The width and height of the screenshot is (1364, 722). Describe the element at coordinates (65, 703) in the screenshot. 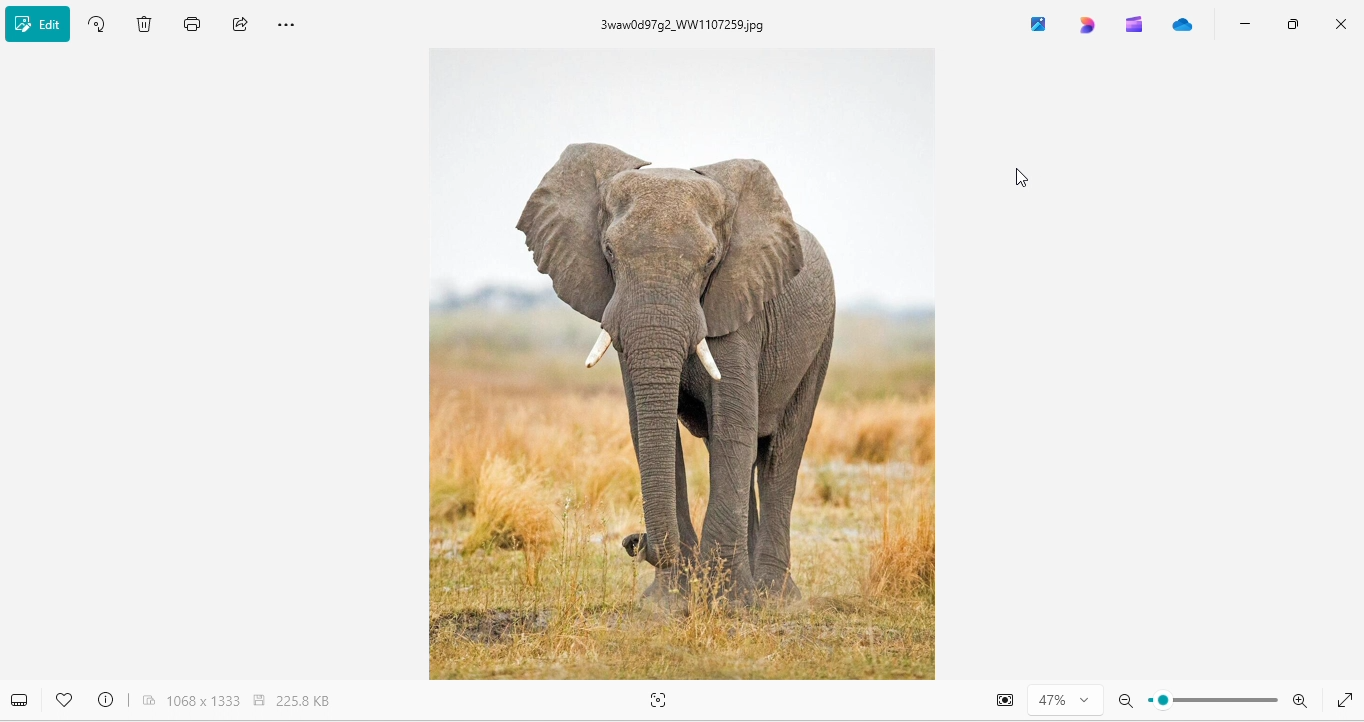

I see `add to favourite` at that location.